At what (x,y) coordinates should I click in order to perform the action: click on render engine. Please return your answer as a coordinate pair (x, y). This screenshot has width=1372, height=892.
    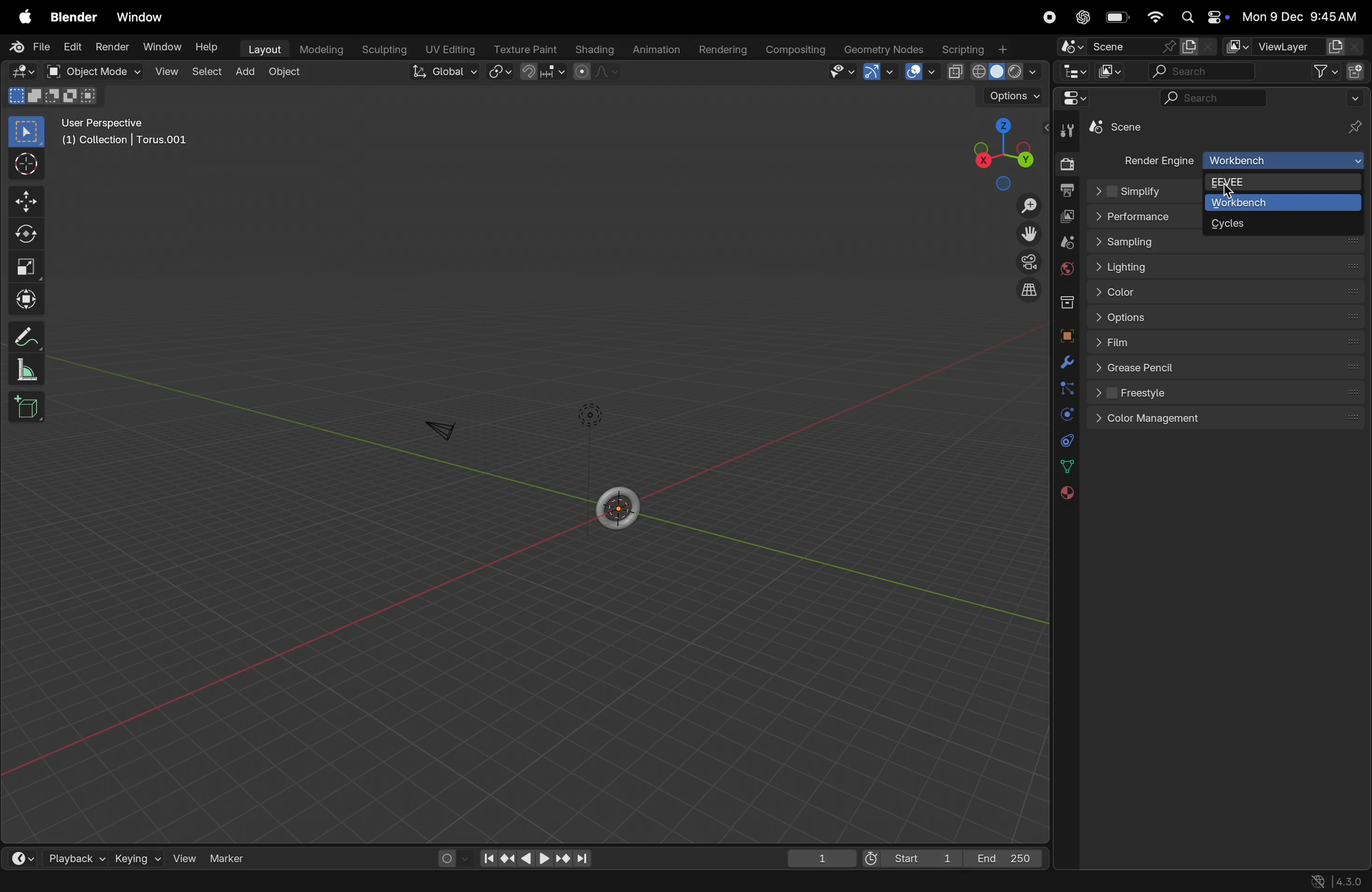
    Looking at the image, I should click on (1155, 160).